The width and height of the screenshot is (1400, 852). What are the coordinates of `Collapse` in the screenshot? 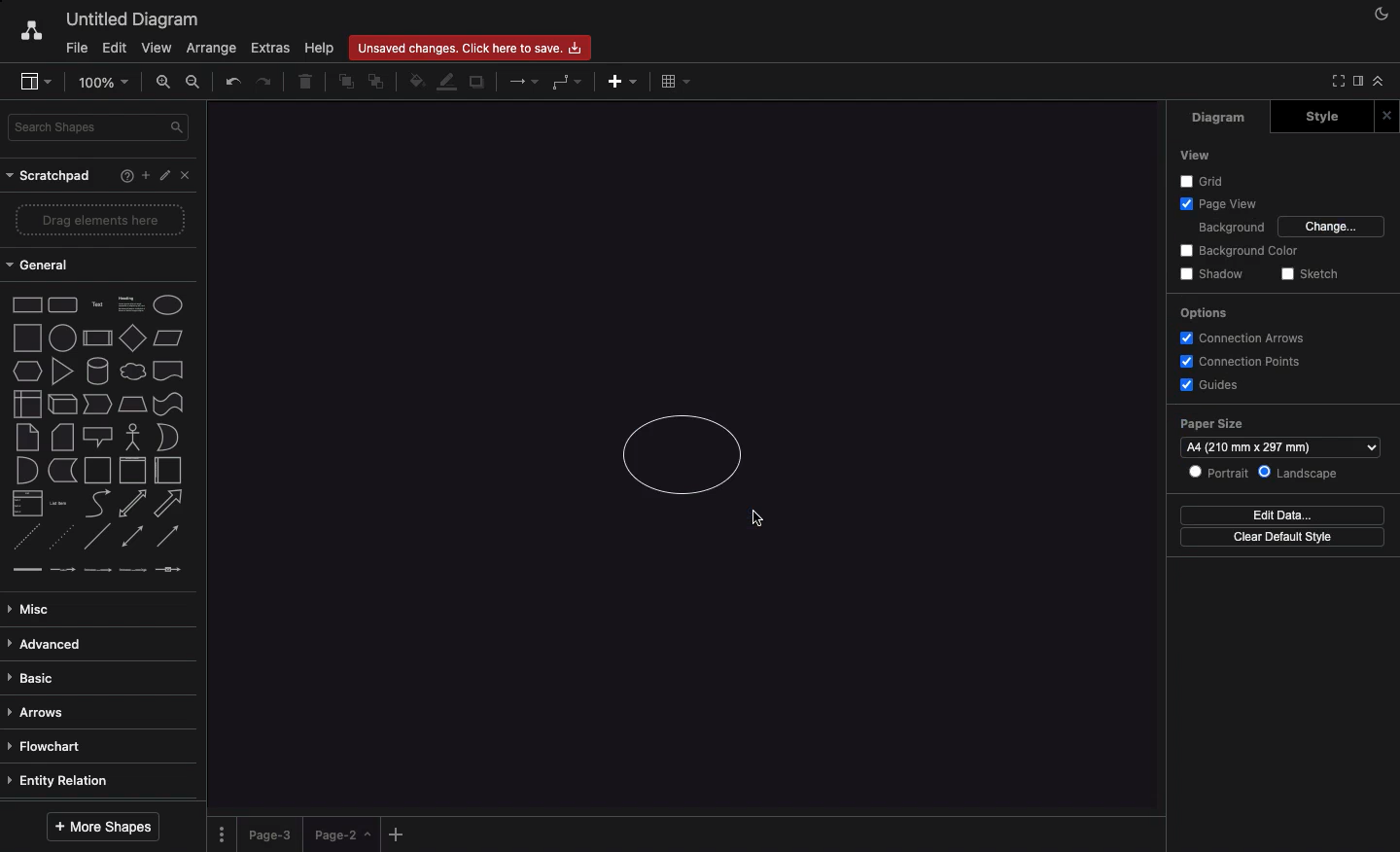 It's located at (1335, 82).